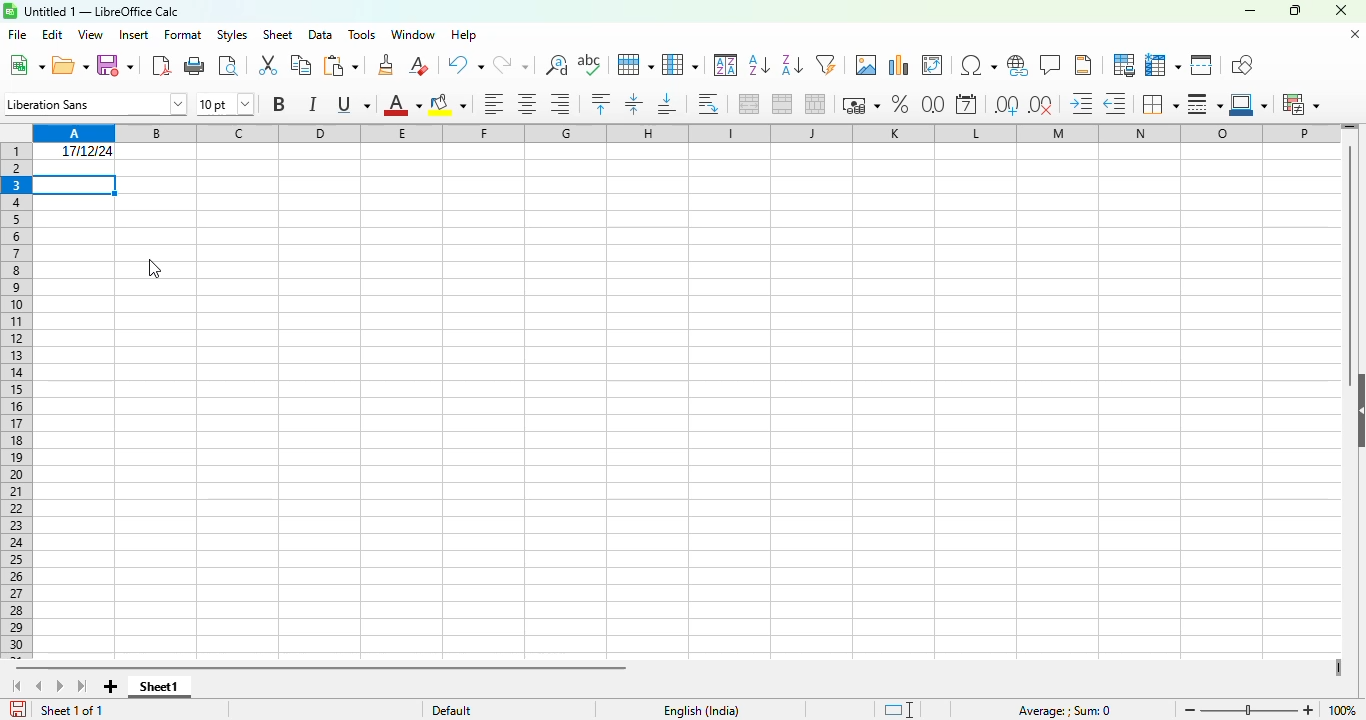  Describe the element at coordinates (232, 34) in the screenshot. I see `styles` at that location.